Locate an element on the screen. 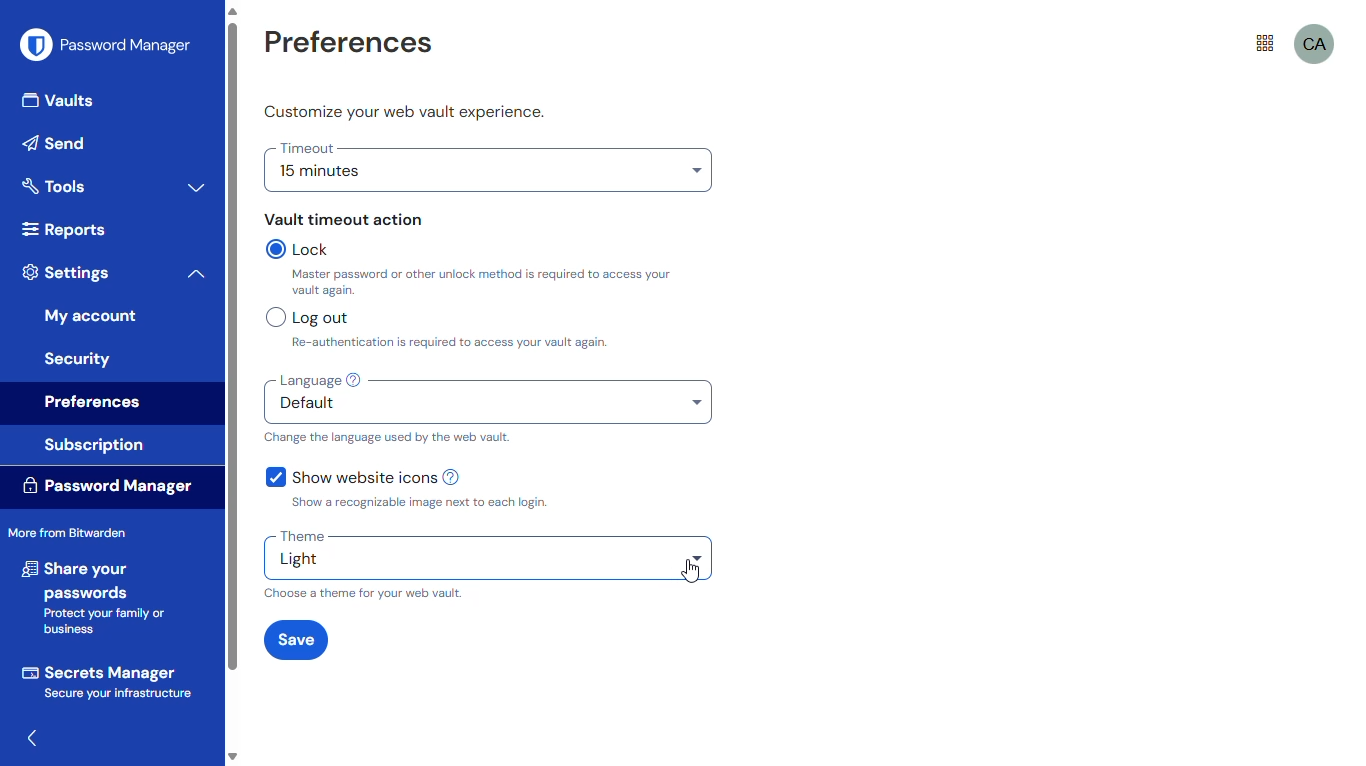  scroll down is located at coordinates (232, 758).